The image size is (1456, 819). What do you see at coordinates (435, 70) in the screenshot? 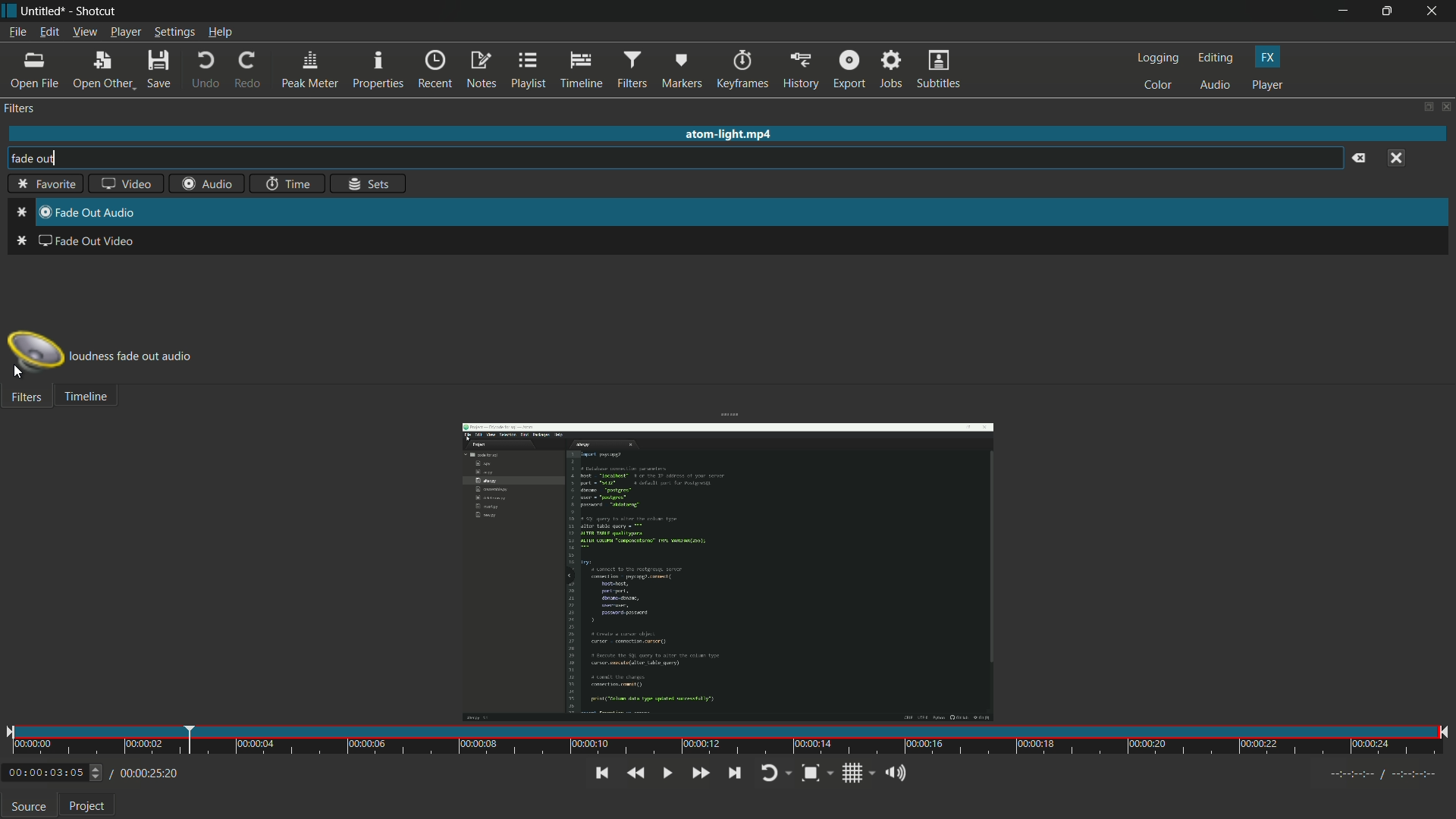
I see `recent` at bounding box center [435, 70].